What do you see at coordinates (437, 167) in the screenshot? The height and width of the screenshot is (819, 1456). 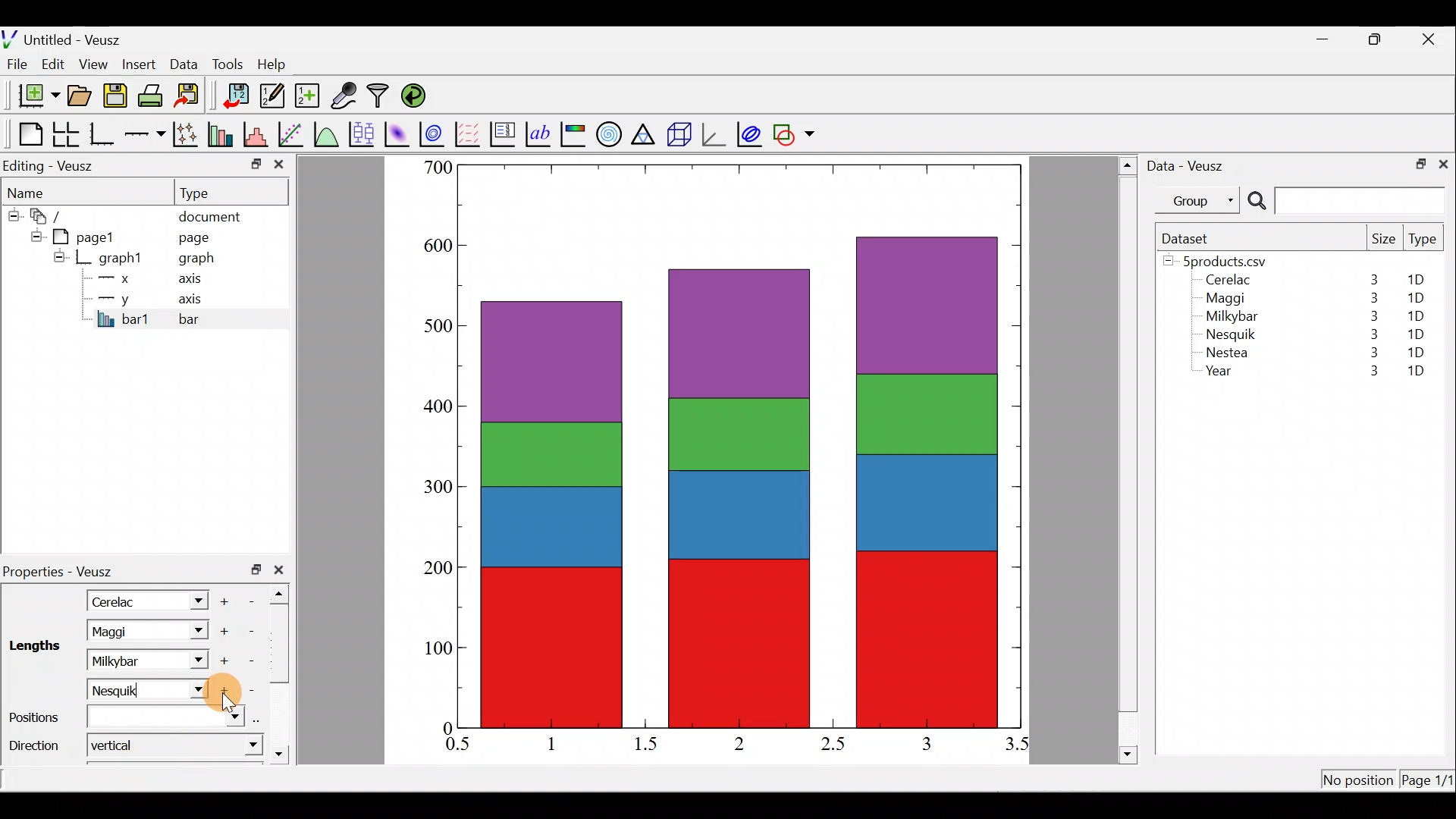 I see `500` at bounding box center [437, 167].